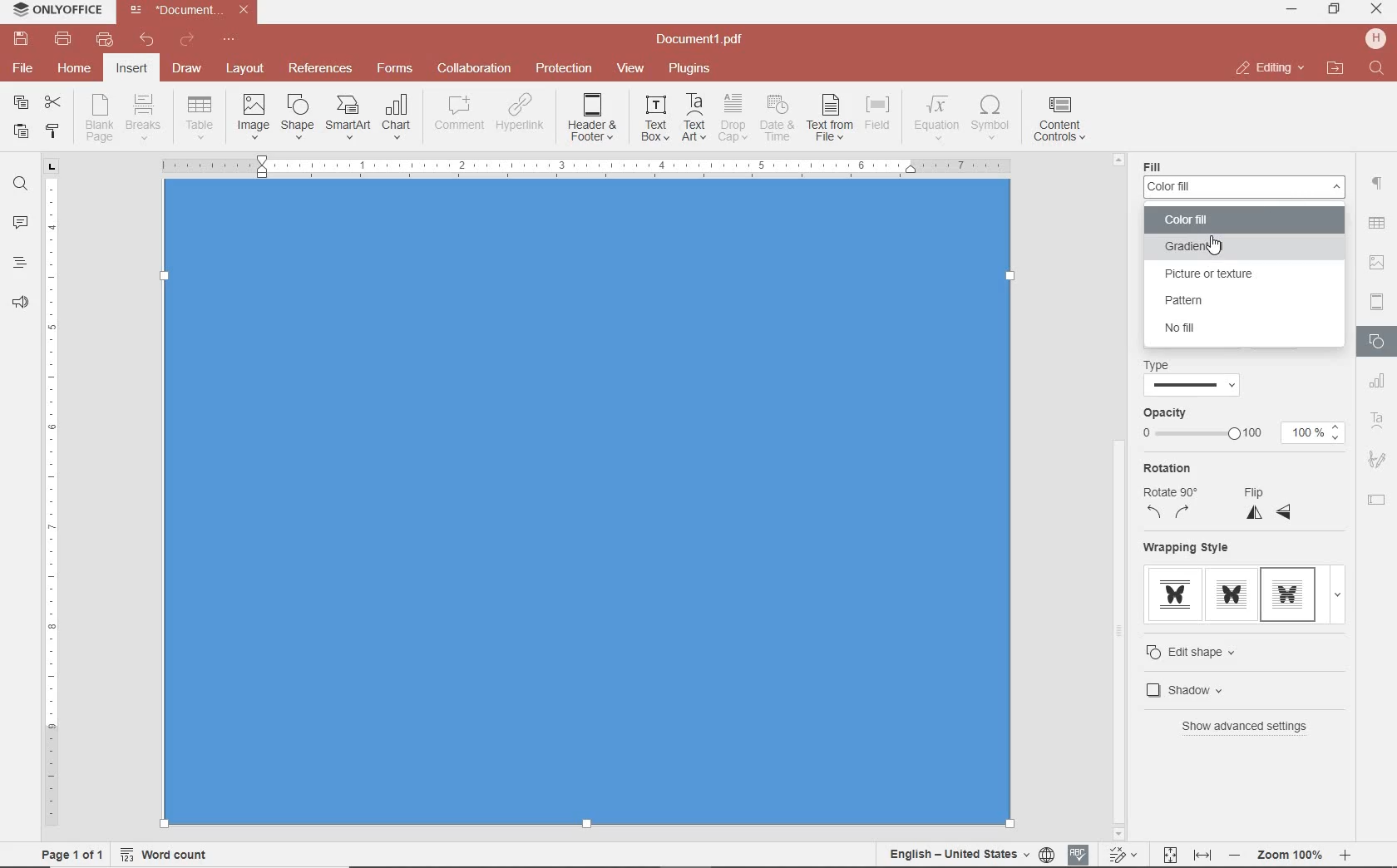 This screenshot has width=1397, height=868. Describe the element at coordinates (193, 10) in the screenshot. I see `file name` at that location.